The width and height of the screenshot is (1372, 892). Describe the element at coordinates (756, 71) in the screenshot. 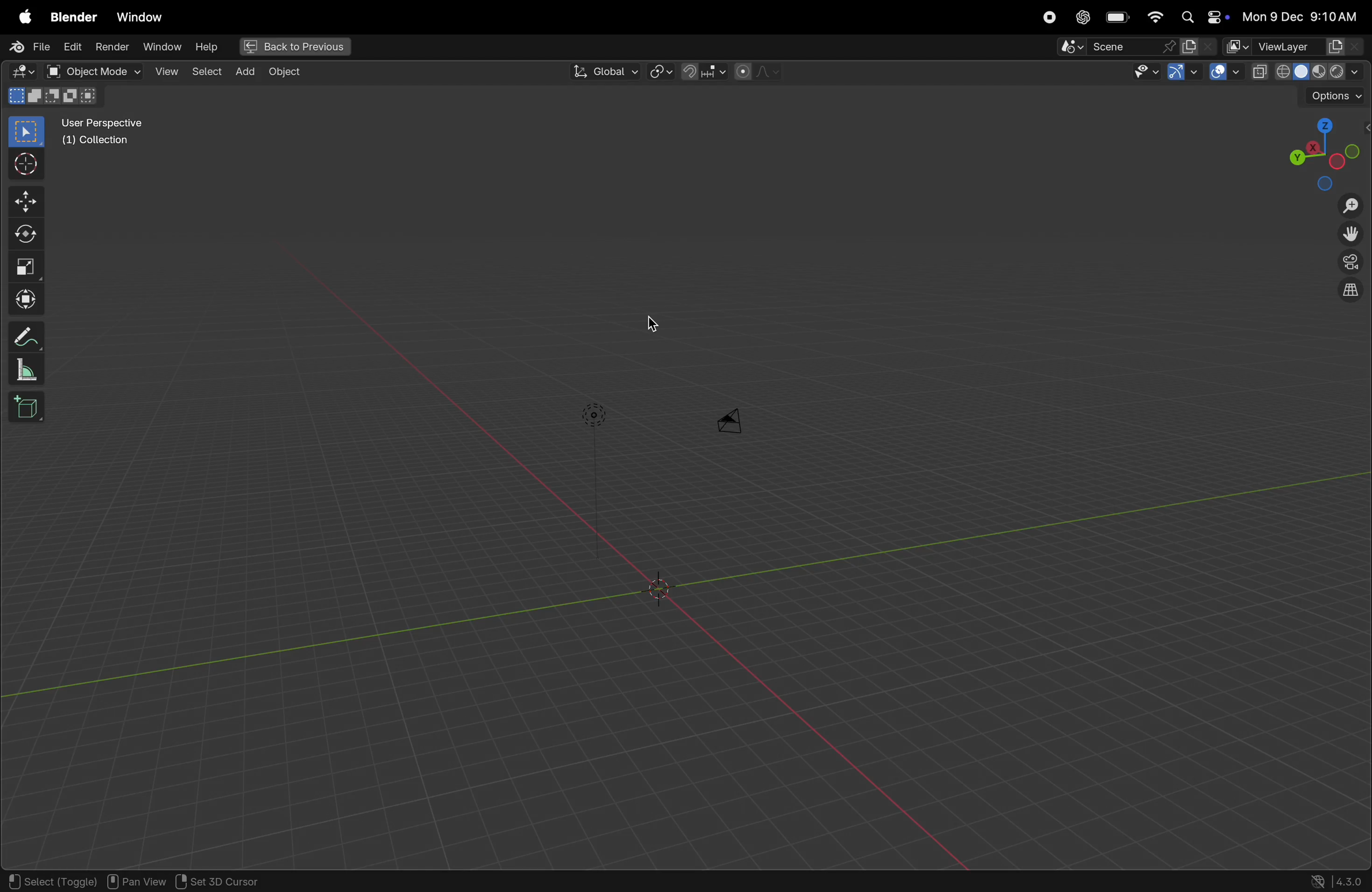

I see `proportional fall off` at that location.